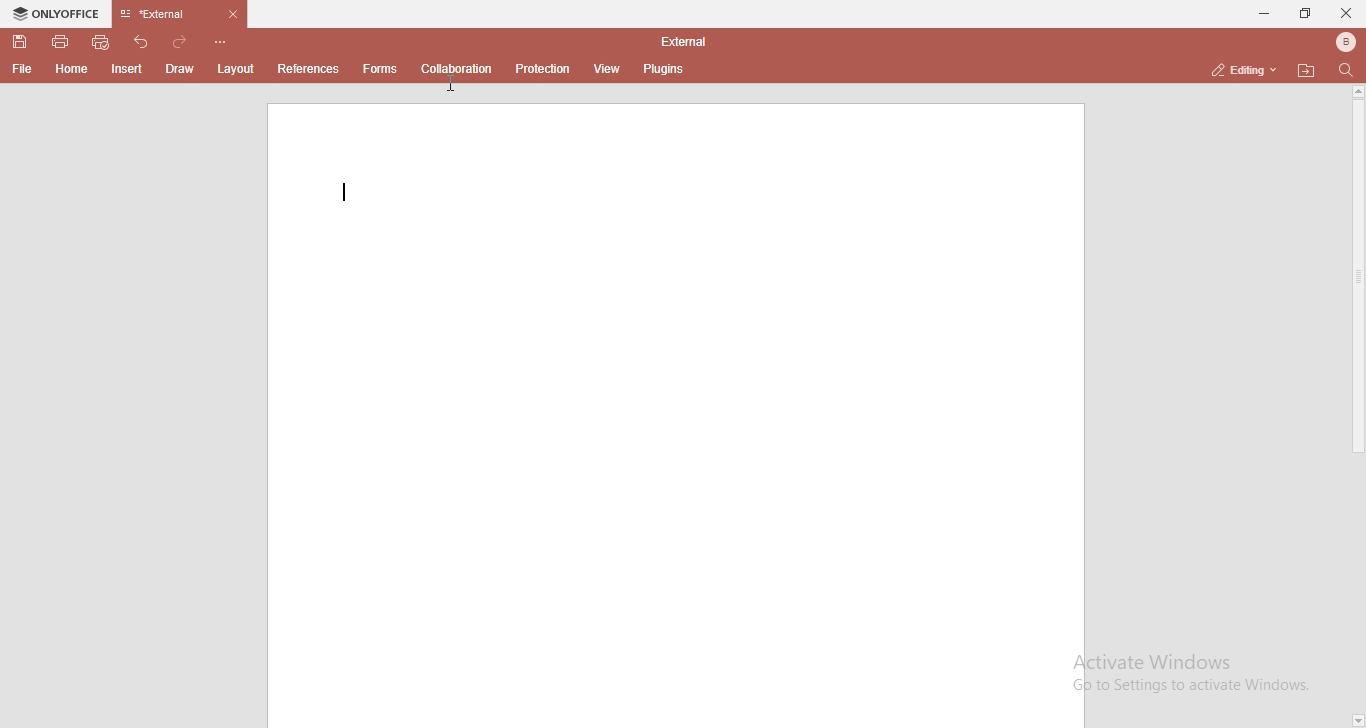 The height and width of the screenshot is (728, 1366). Describe the element at coordinates (26, 71) in the screenshot. I see `file` at that location.